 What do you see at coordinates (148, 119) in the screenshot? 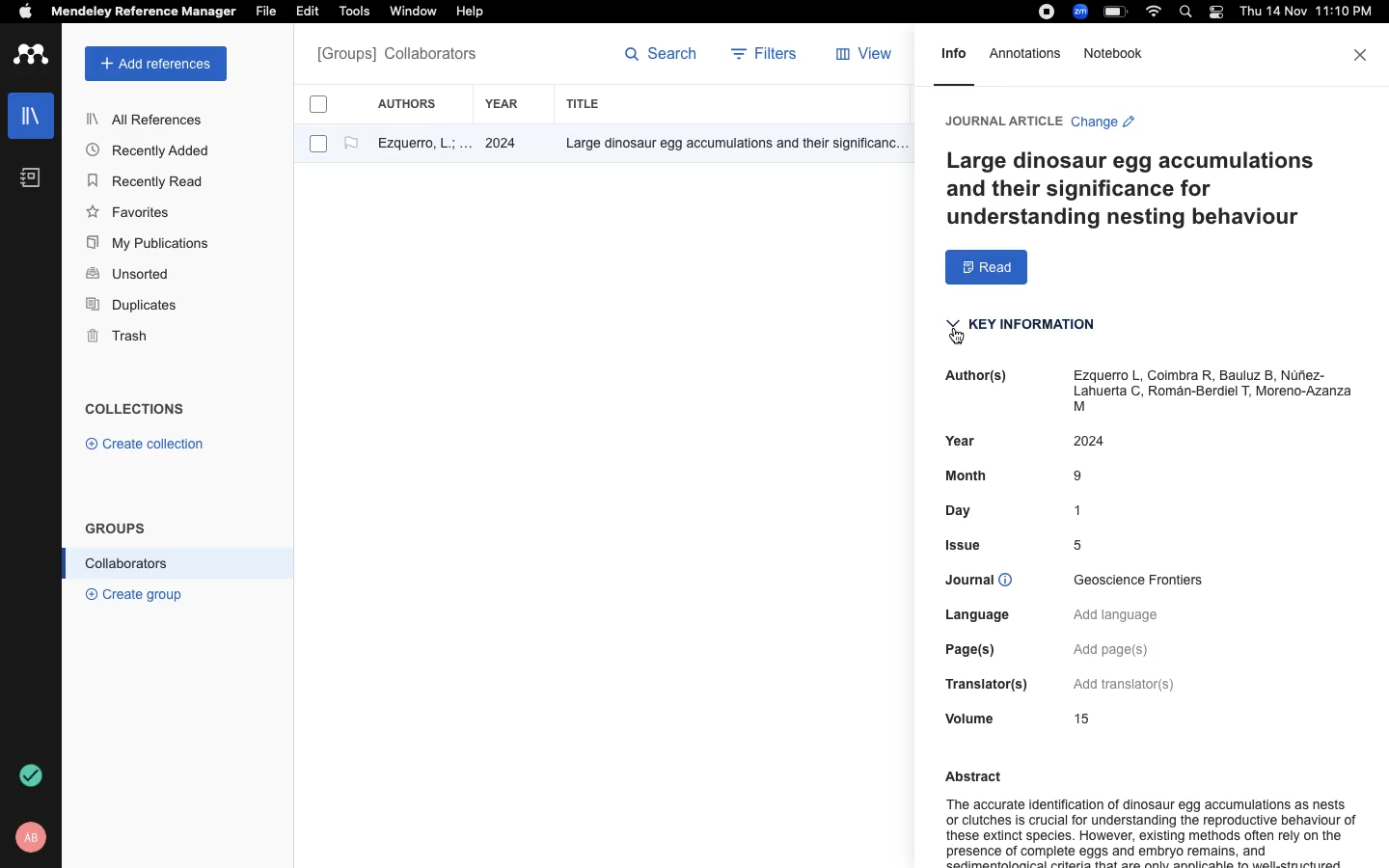
I see `All References` at bounding box center [148, 119].